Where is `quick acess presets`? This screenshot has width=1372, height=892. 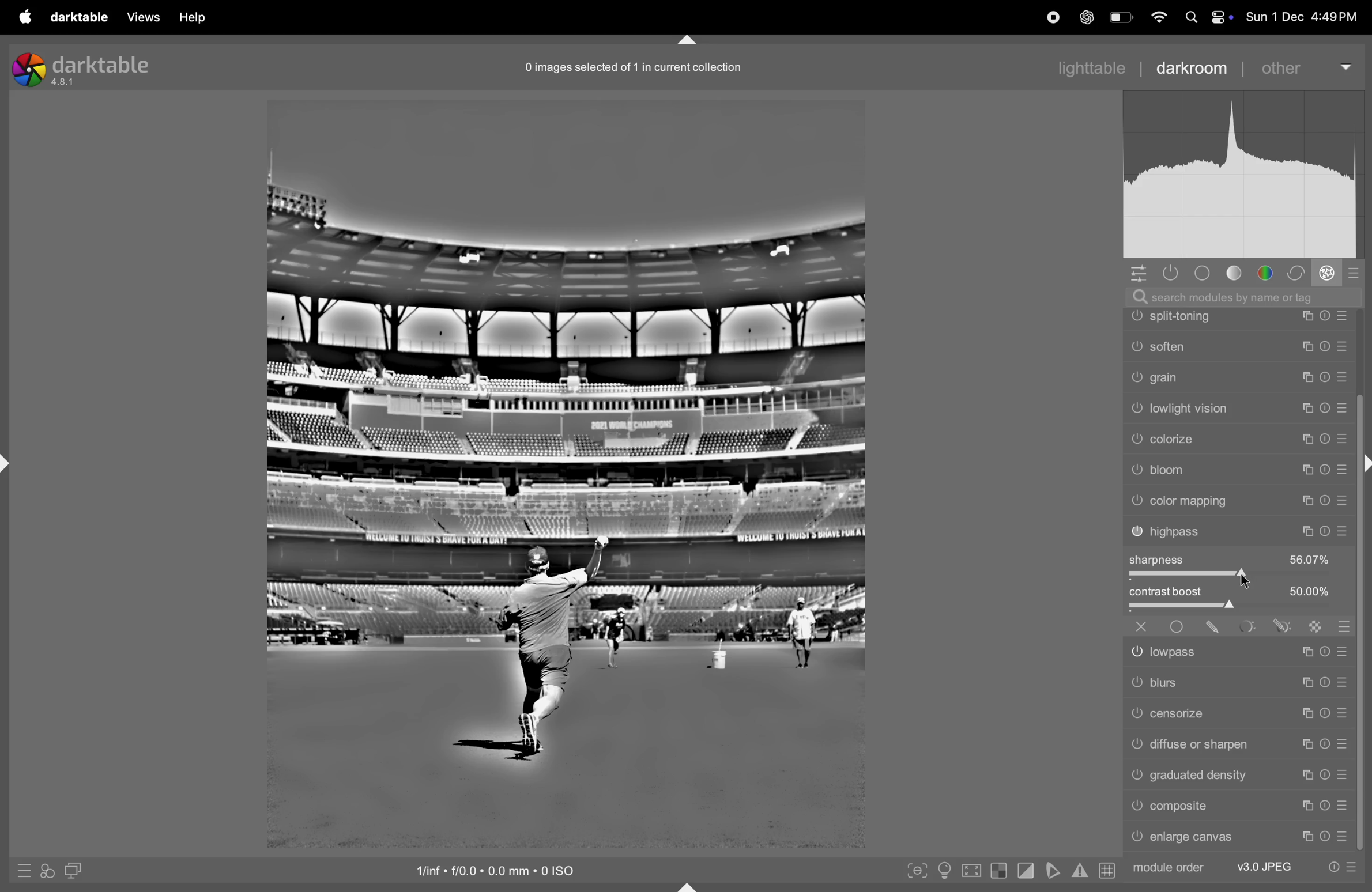 quick acess presets is located at coordinates (20, 871).